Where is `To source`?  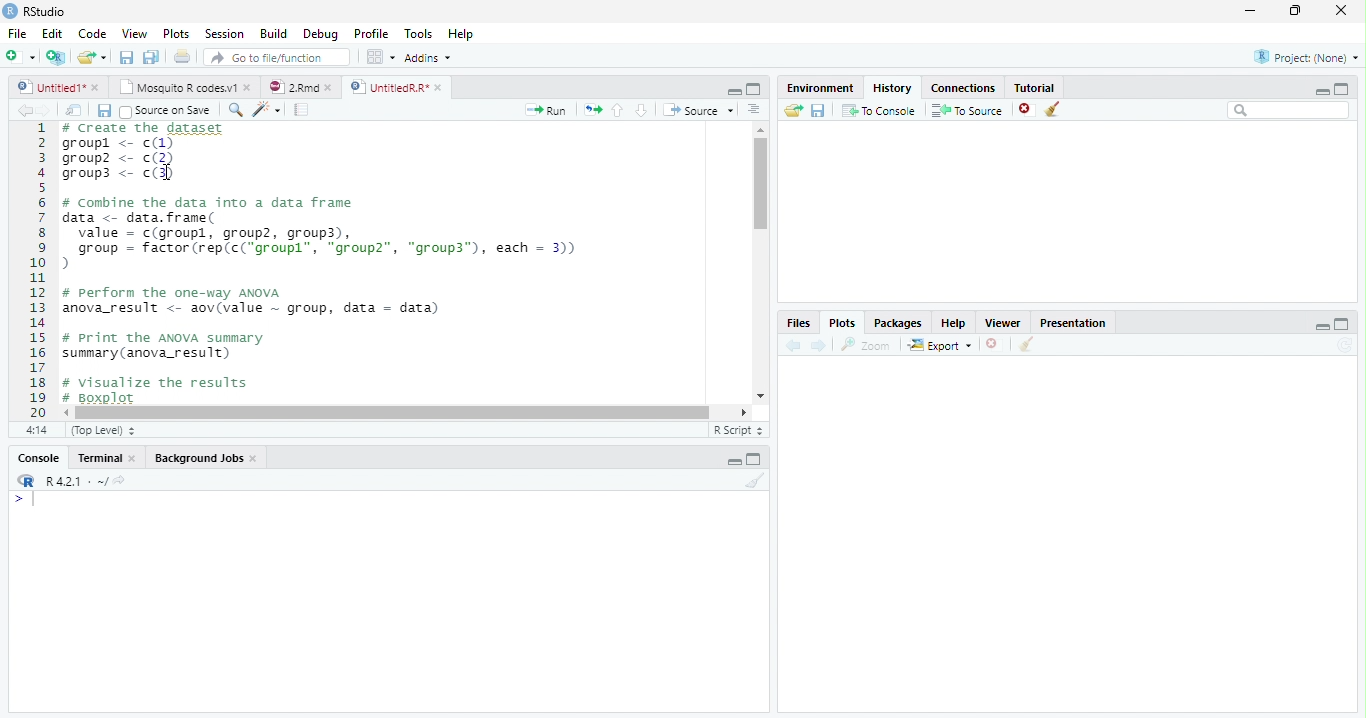 To source is located at coordinates (970, 112).